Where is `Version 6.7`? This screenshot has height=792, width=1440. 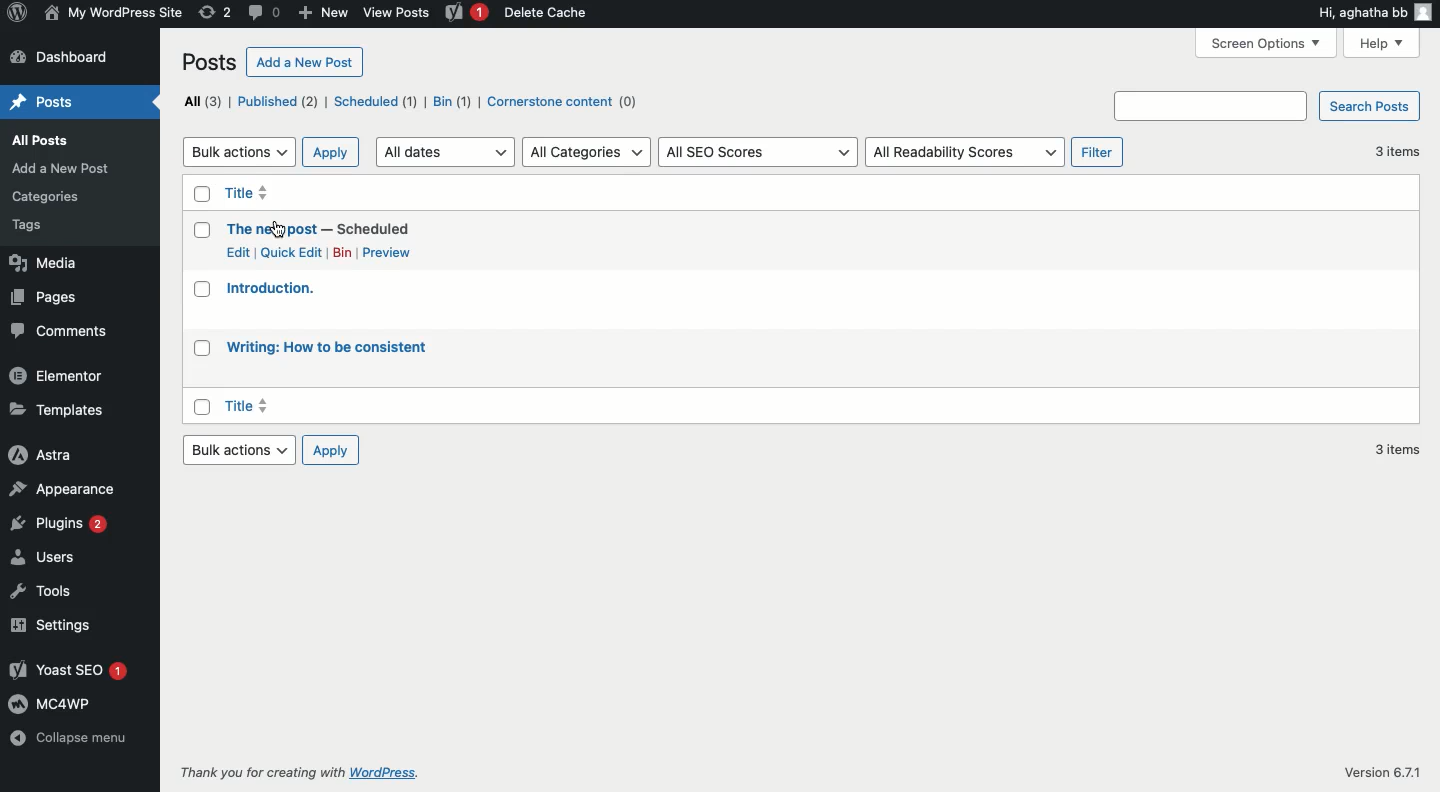
Version 6.7 is located at coordinates (1376, 773).